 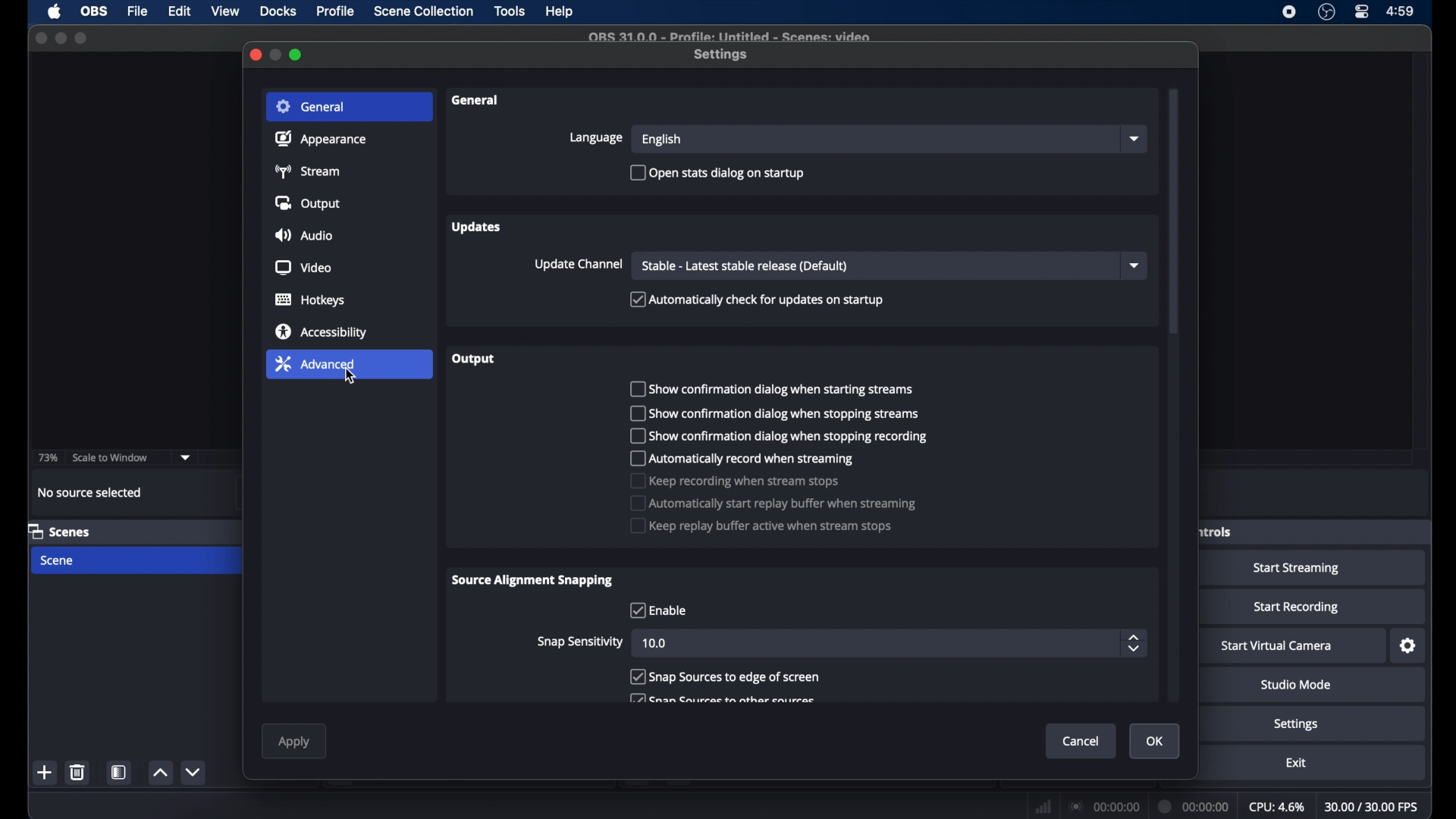 I want to click on scene, so click(x=58, y=560).